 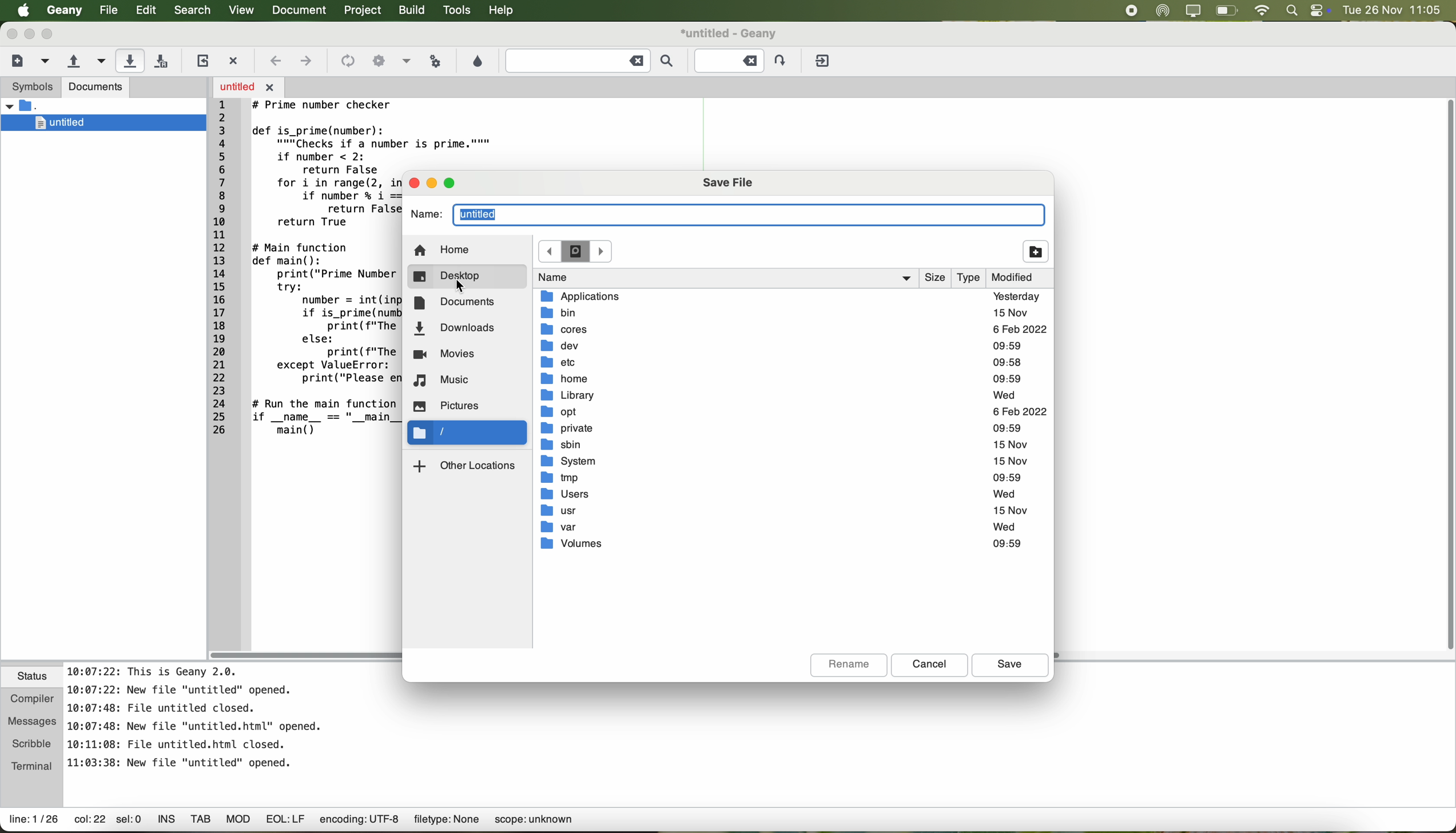 I want to click on home, so click(x=781, y=379).